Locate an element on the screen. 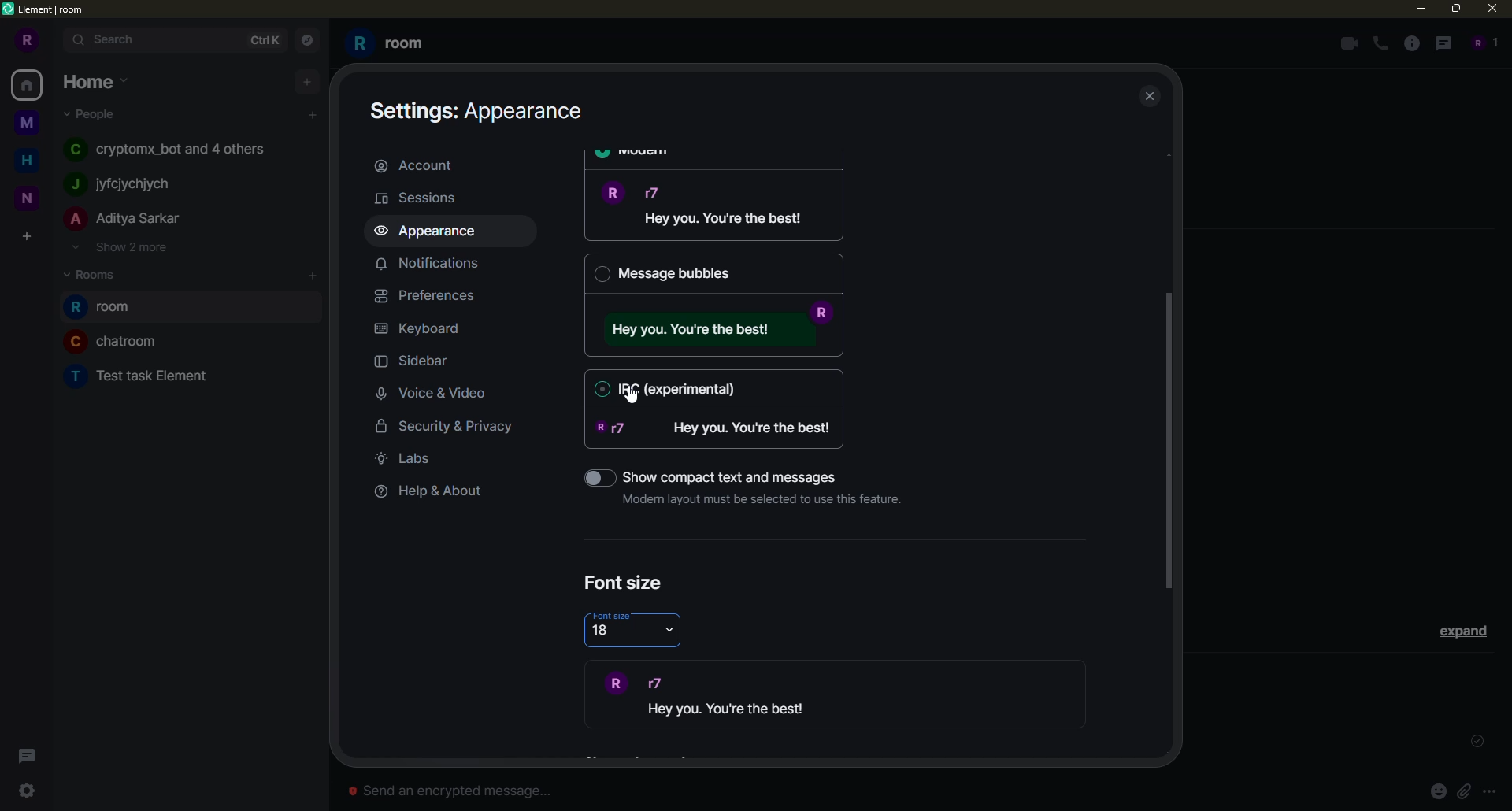 The height and width of the screenshot is (811, 1512). toggle is located at coordinates (600, 478).